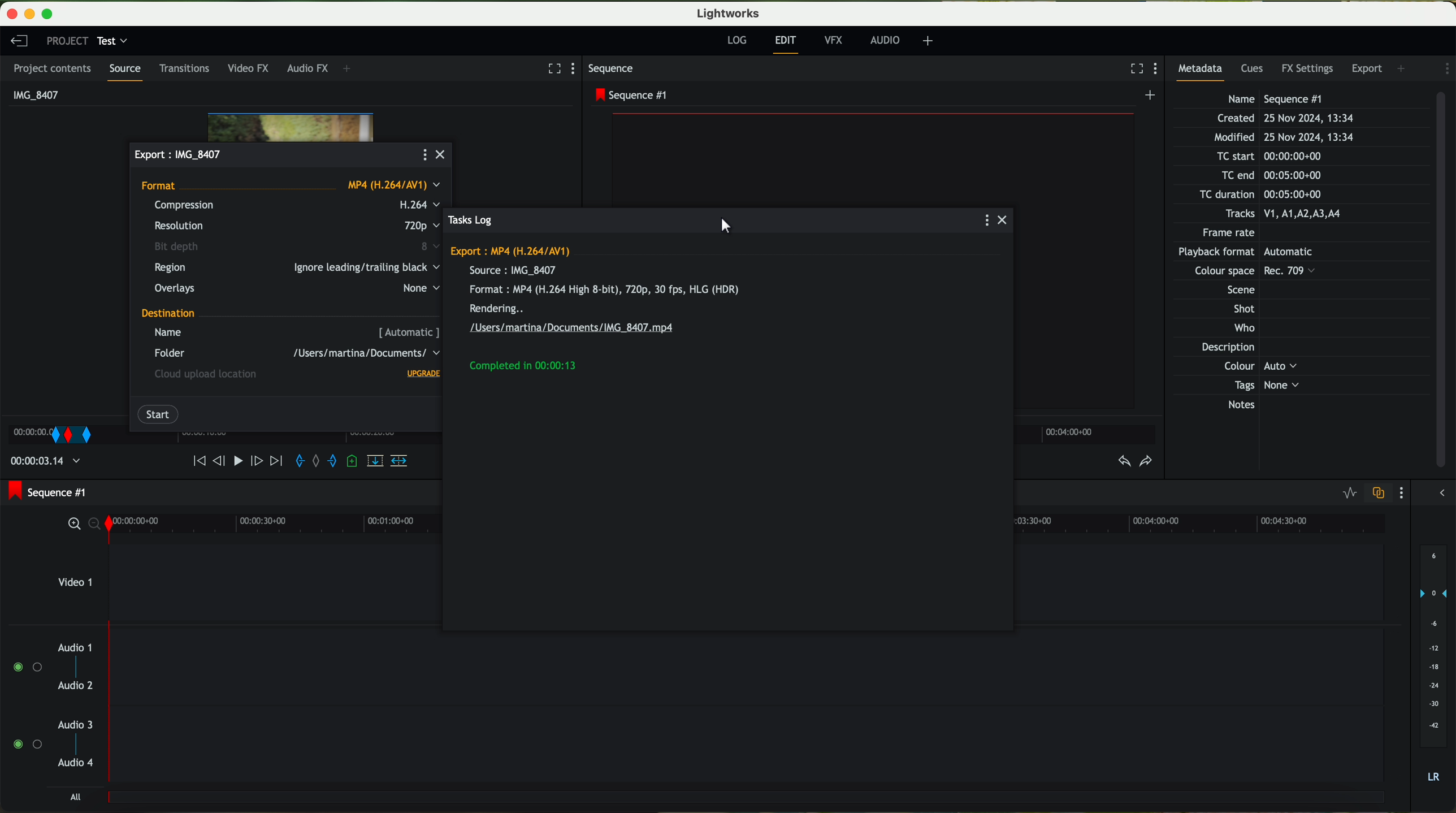  Describe the element at coordinates (836, 42) in the screenshot. I see `VFX` at that location.